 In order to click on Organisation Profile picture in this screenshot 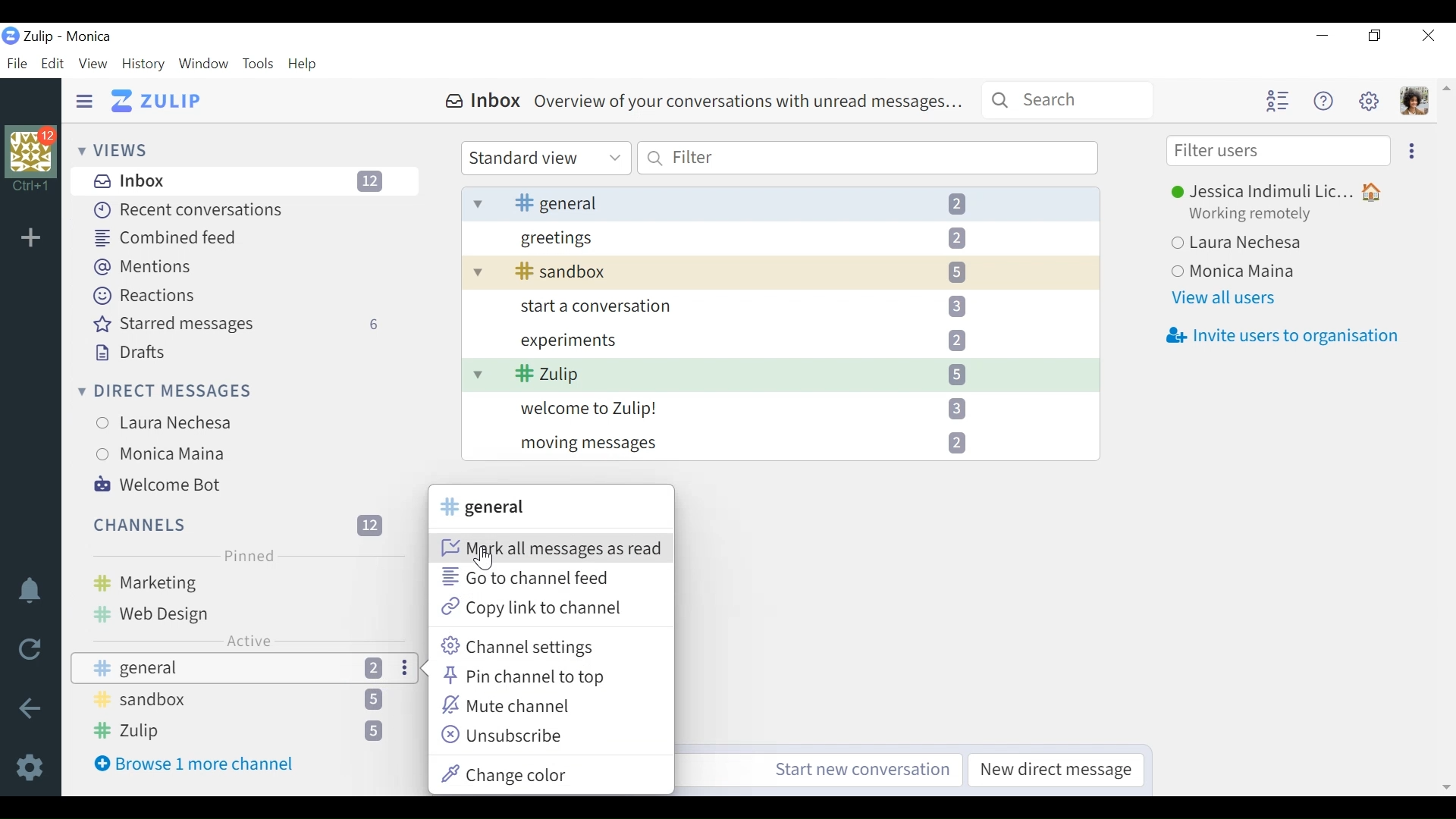, I will do `click(33, 152)`.